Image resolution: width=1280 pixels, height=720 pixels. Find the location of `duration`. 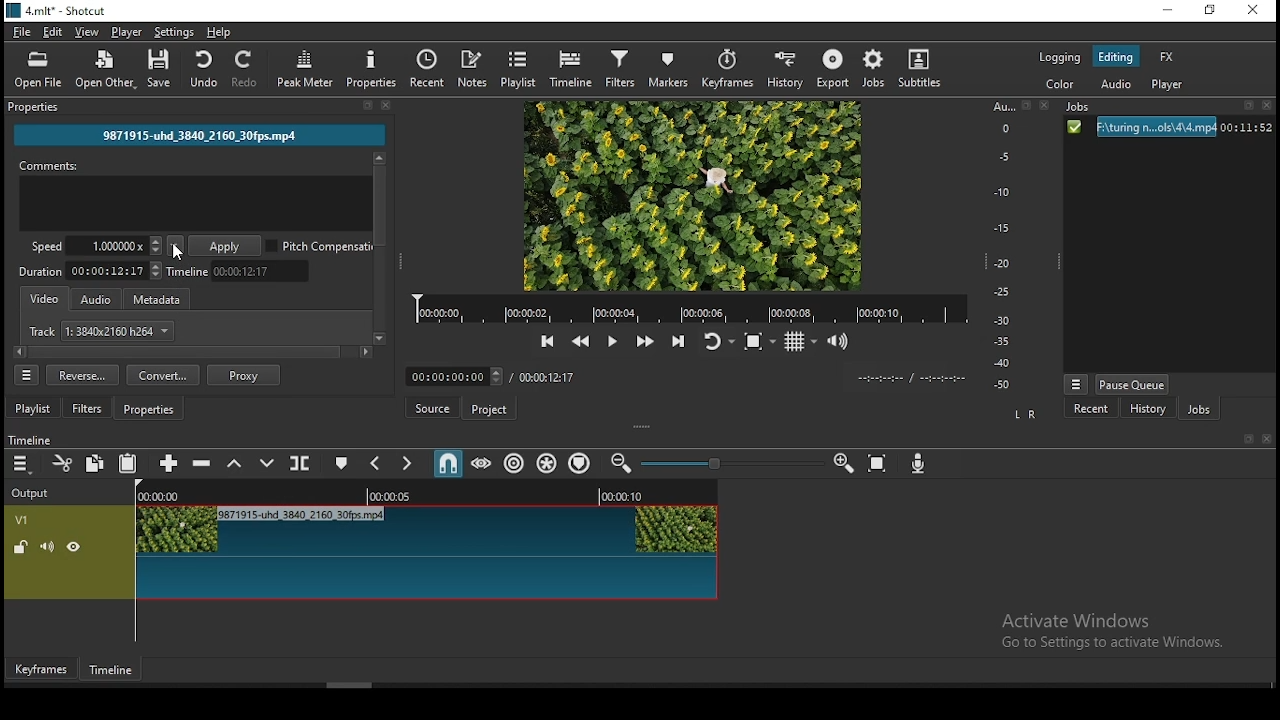

duration is located at coordinates (90, 273).